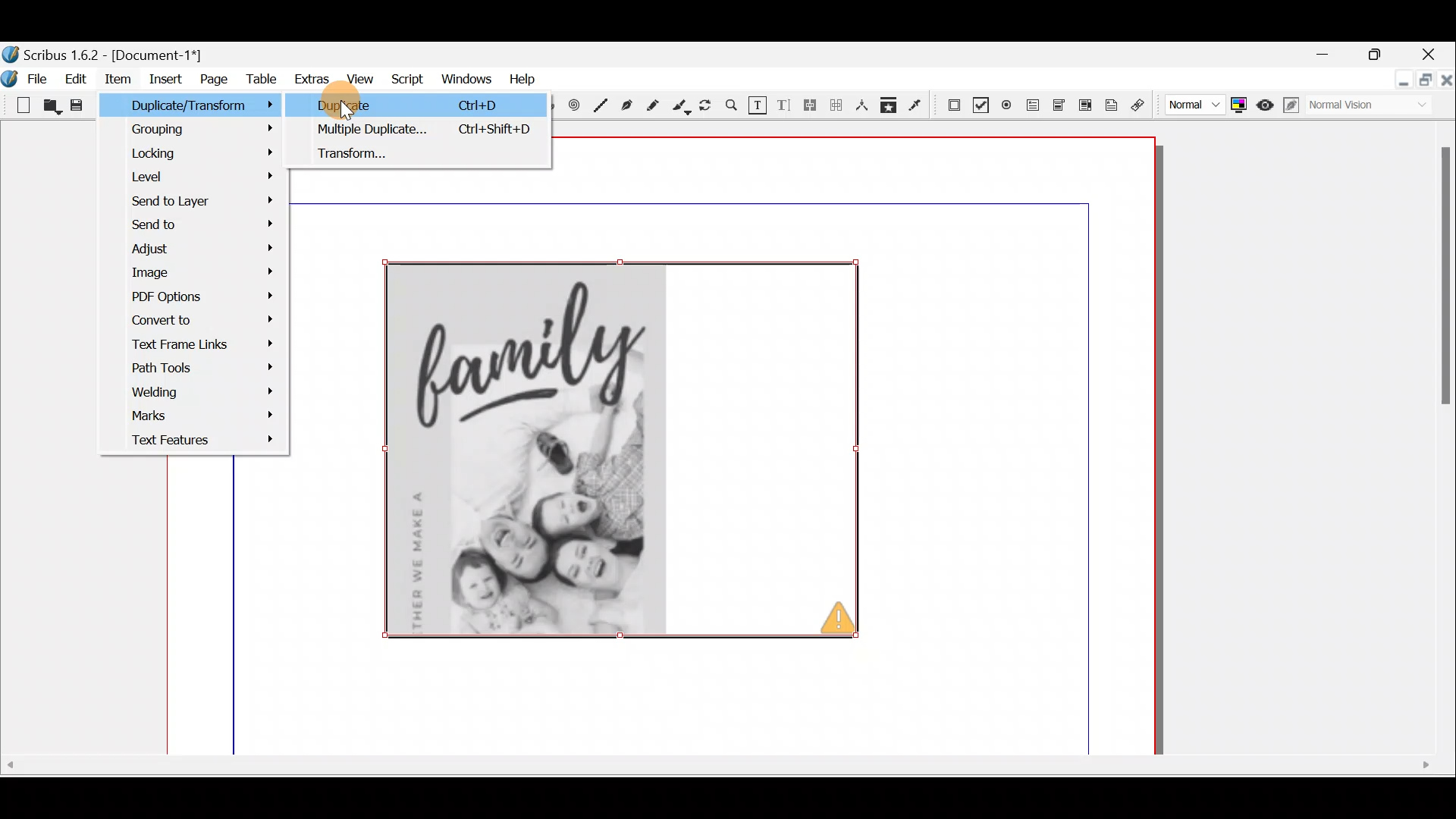 The height and width of the screenshot is (819, 1456). Describe the element at coordinates (626, 105) in the screenshot. I see `Bezier curver` at that location.